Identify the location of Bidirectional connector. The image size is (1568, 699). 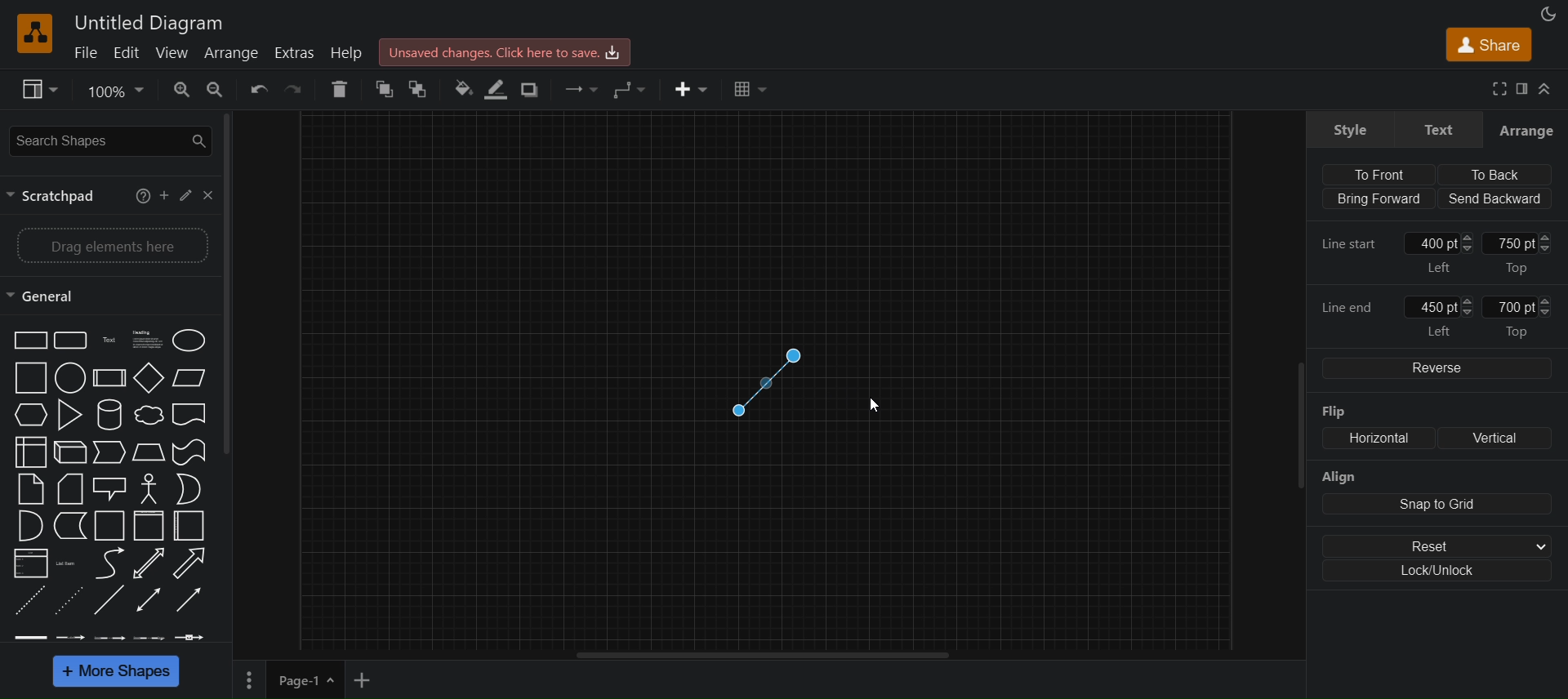
(150, 599).